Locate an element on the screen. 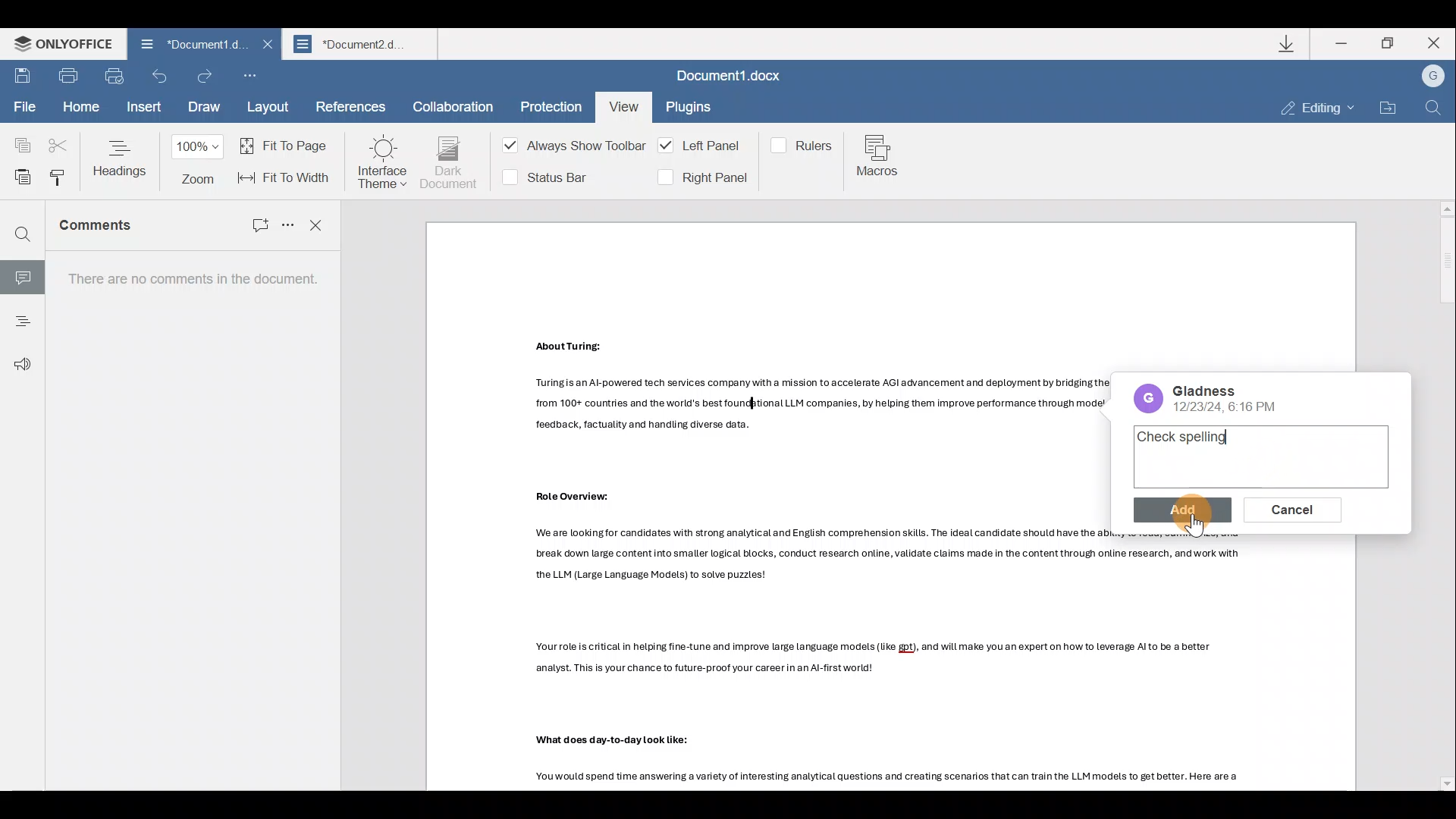 The image size is (1456, 819). Find is located at coordinates (1433, 108).